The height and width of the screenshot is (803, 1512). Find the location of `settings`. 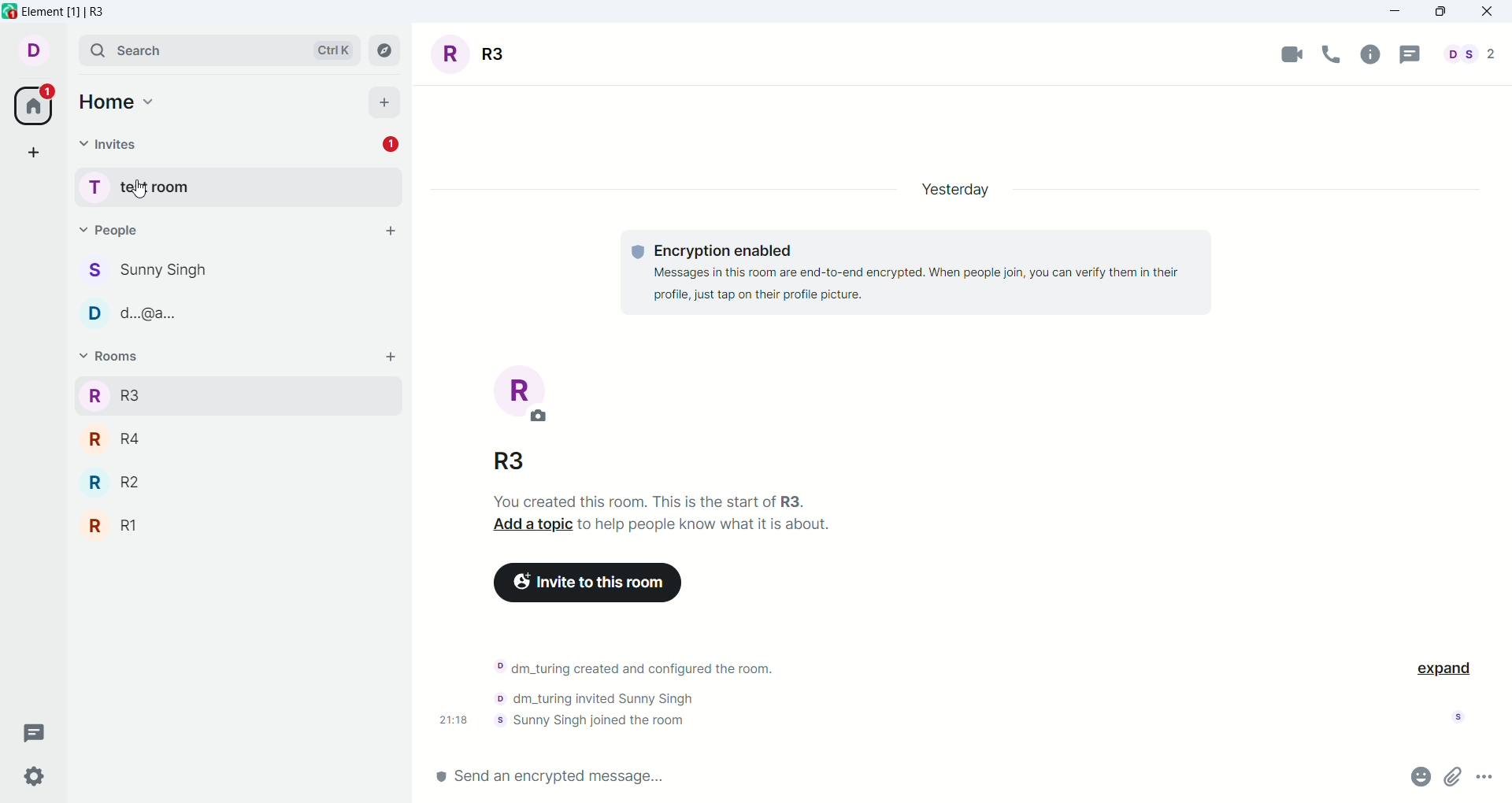

settings is located at coordinates (36, 779).